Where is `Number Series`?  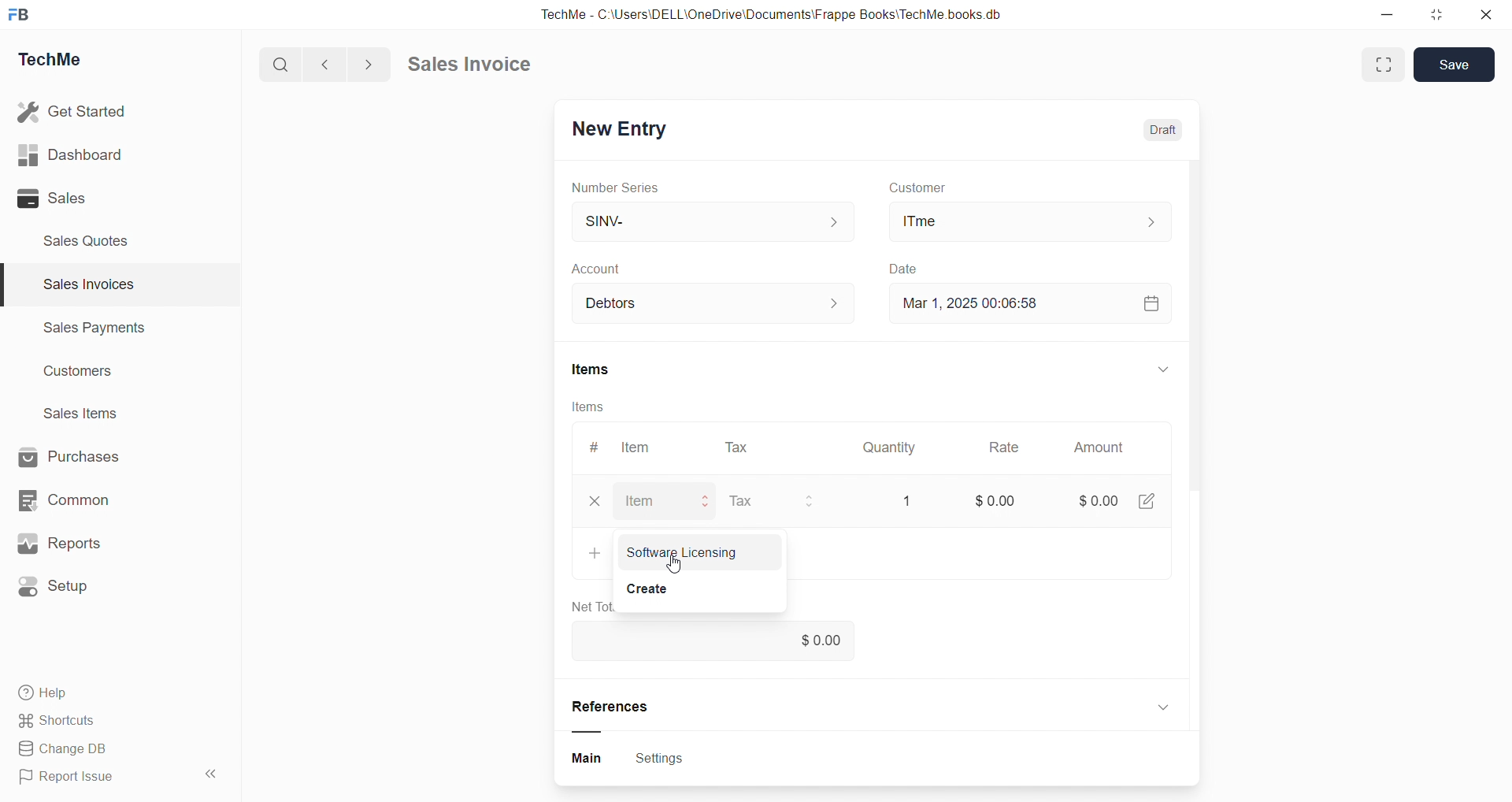
Number Series is located at coordinates (626, 188).